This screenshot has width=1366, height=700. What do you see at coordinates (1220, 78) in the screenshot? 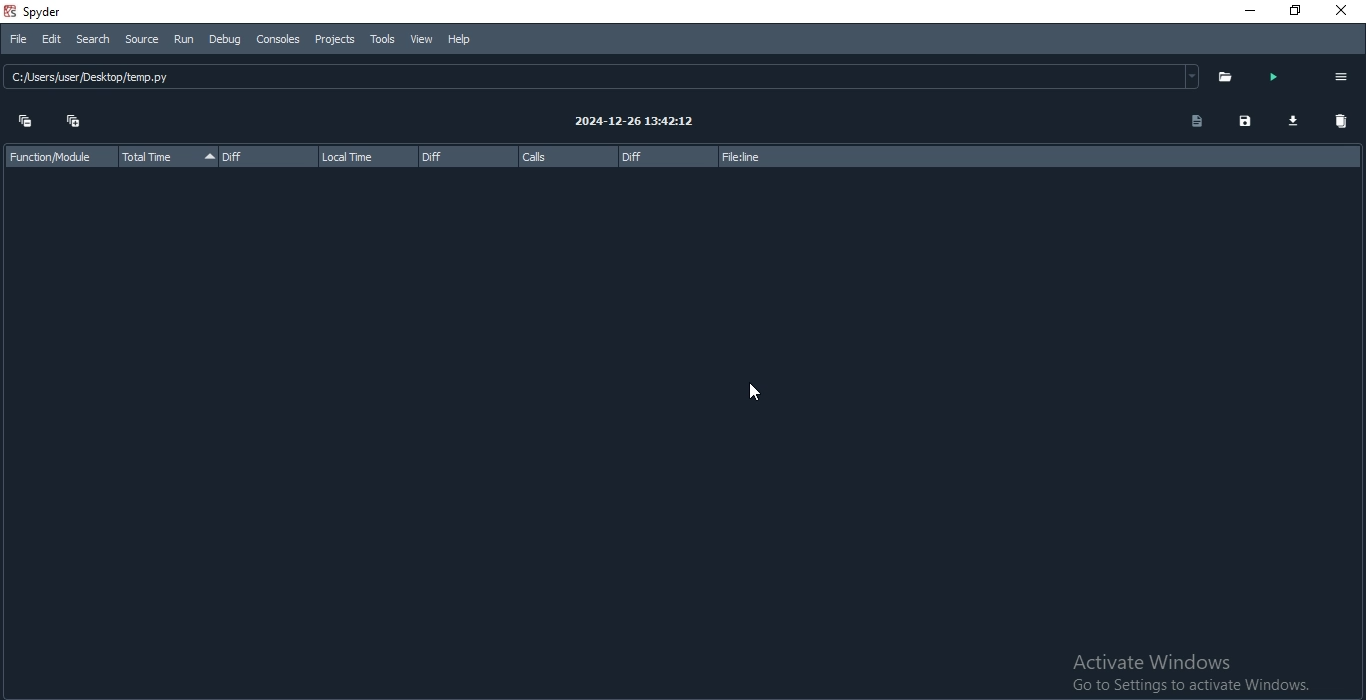
I see `folder` at bounding box center [1220, 78].